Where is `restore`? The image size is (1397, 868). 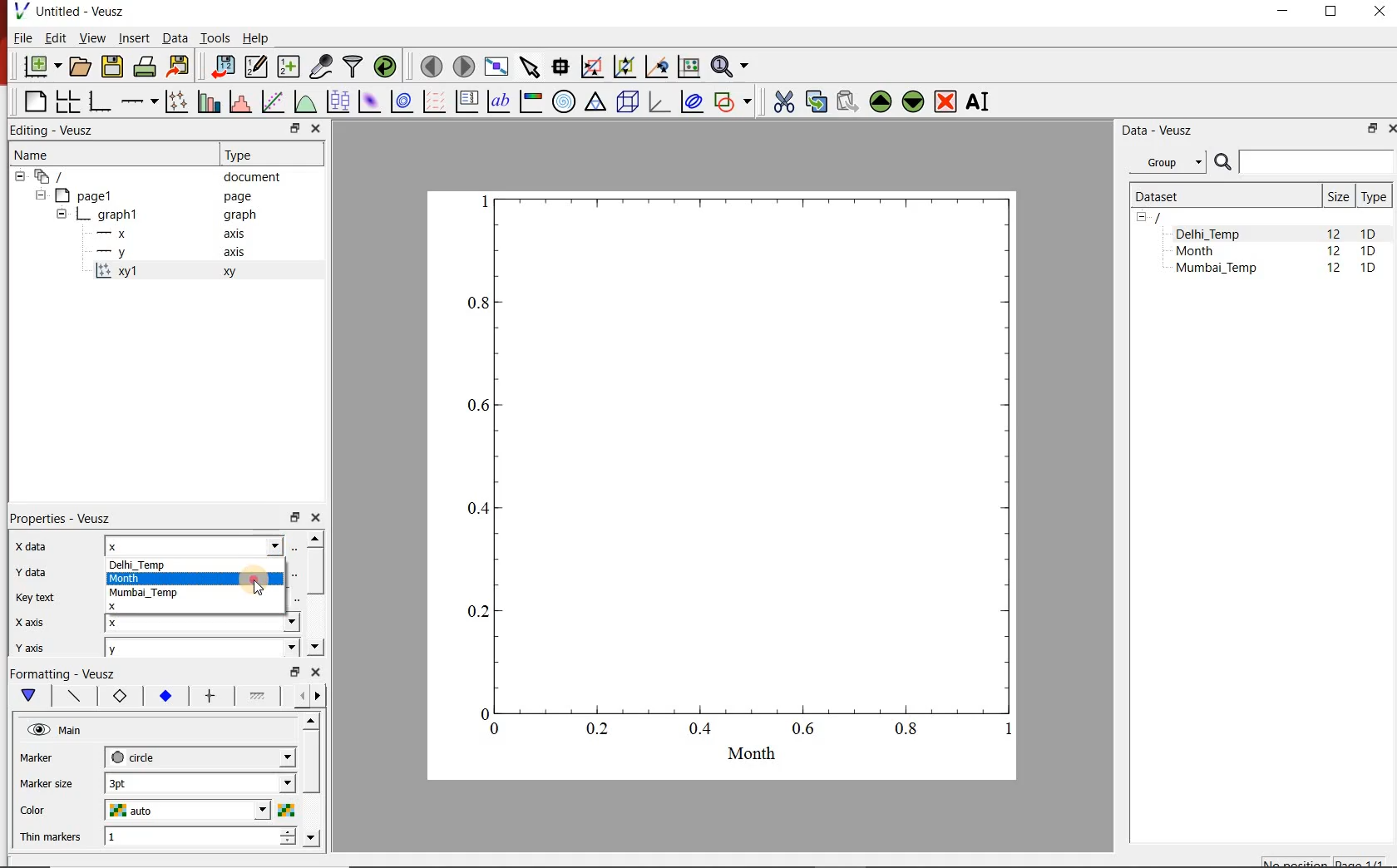
restore is located at coordinates (296, 128).